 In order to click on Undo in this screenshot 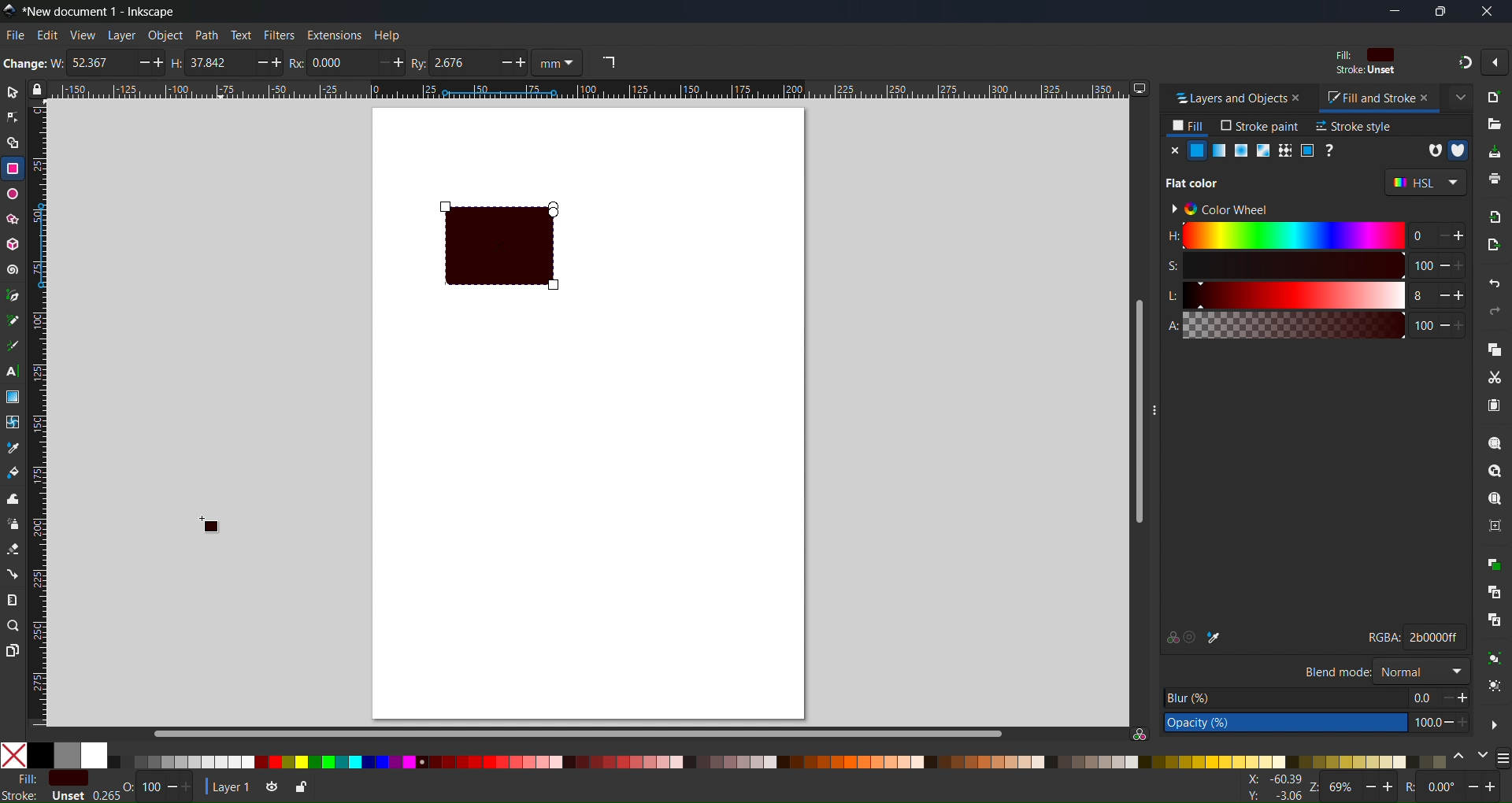, I will do `click(1496, 286)`.